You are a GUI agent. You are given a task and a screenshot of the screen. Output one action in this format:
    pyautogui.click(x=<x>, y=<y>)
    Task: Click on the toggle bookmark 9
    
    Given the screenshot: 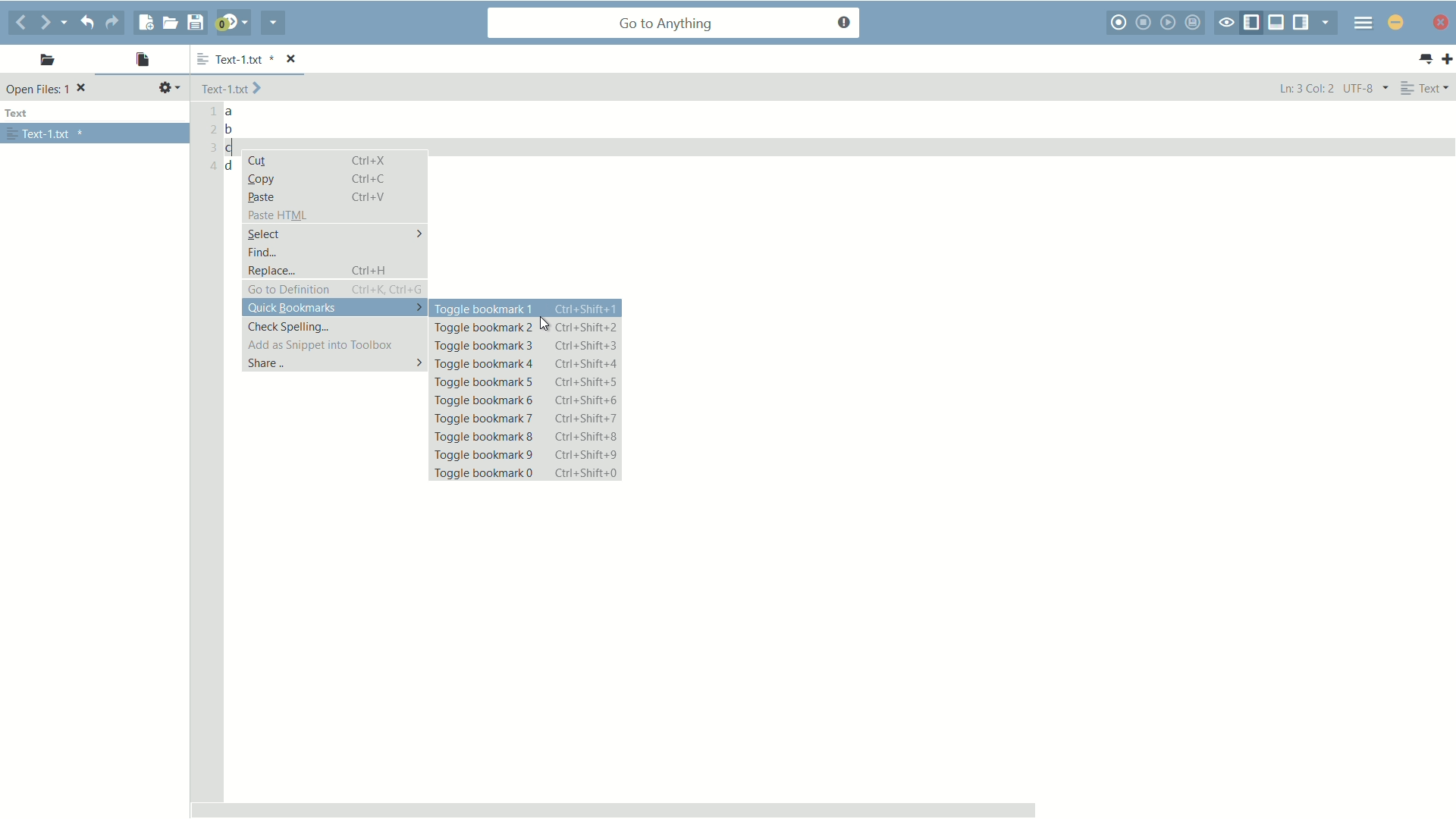 What is the action you would take?
    pyautogui.click(x=526, y=453)
    